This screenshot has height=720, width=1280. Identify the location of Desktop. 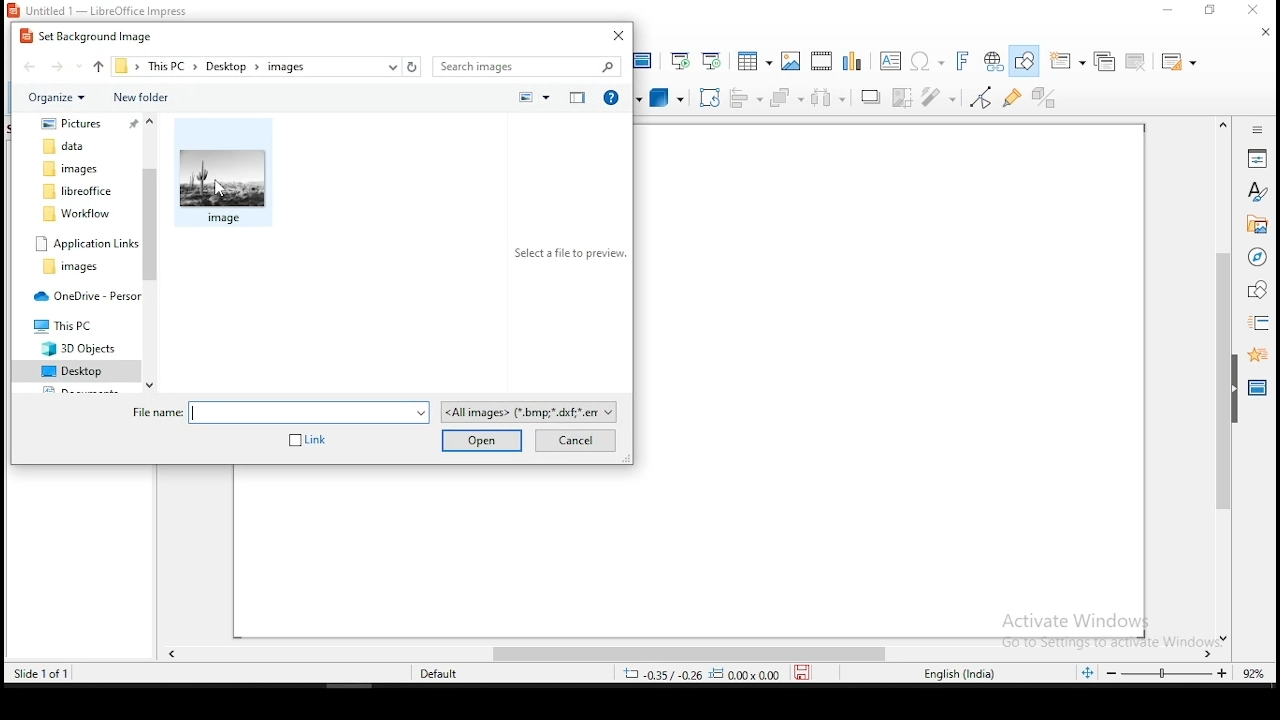
(76, 372).